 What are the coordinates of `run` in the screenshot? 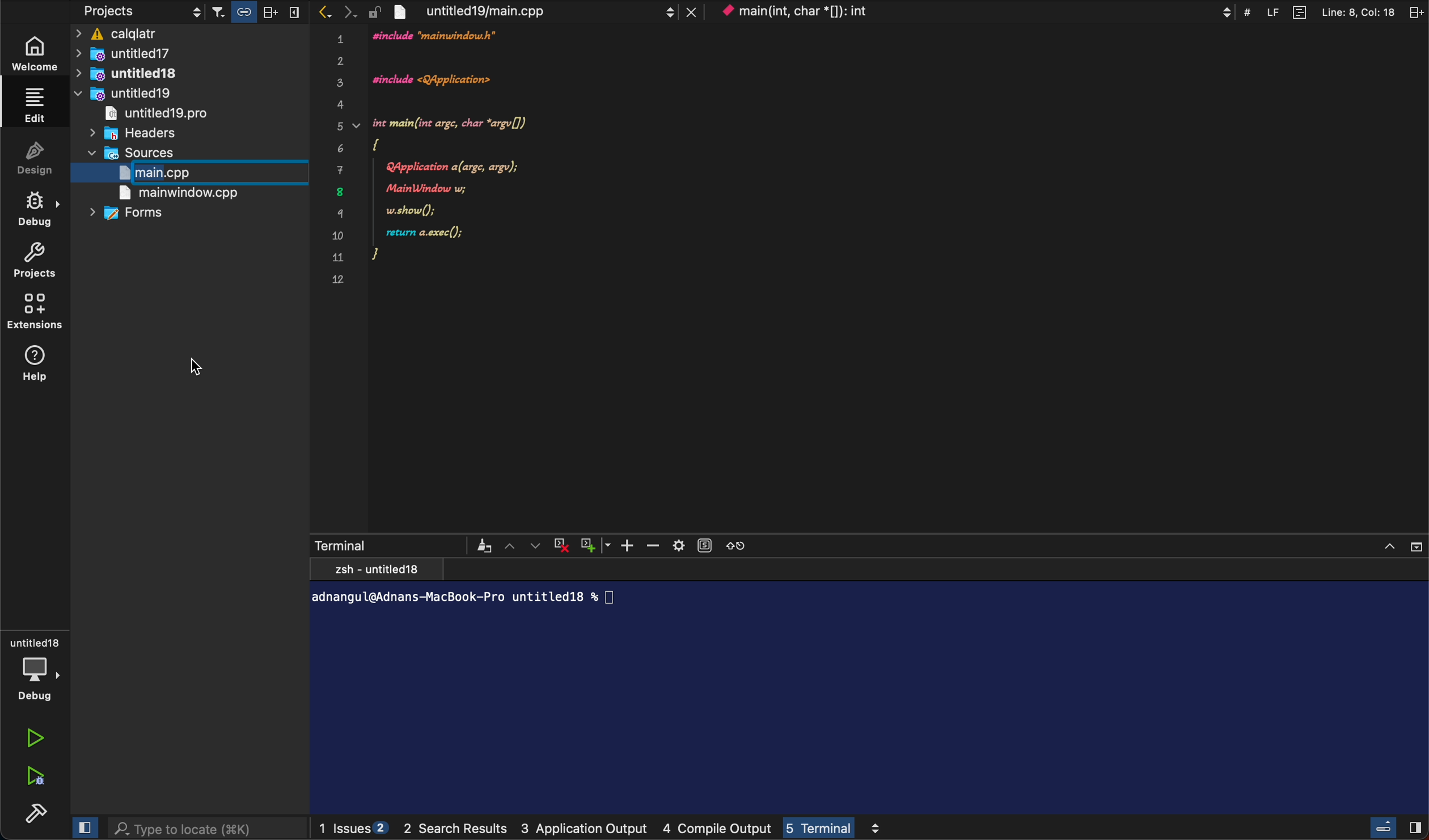 It's located at (36, 739).